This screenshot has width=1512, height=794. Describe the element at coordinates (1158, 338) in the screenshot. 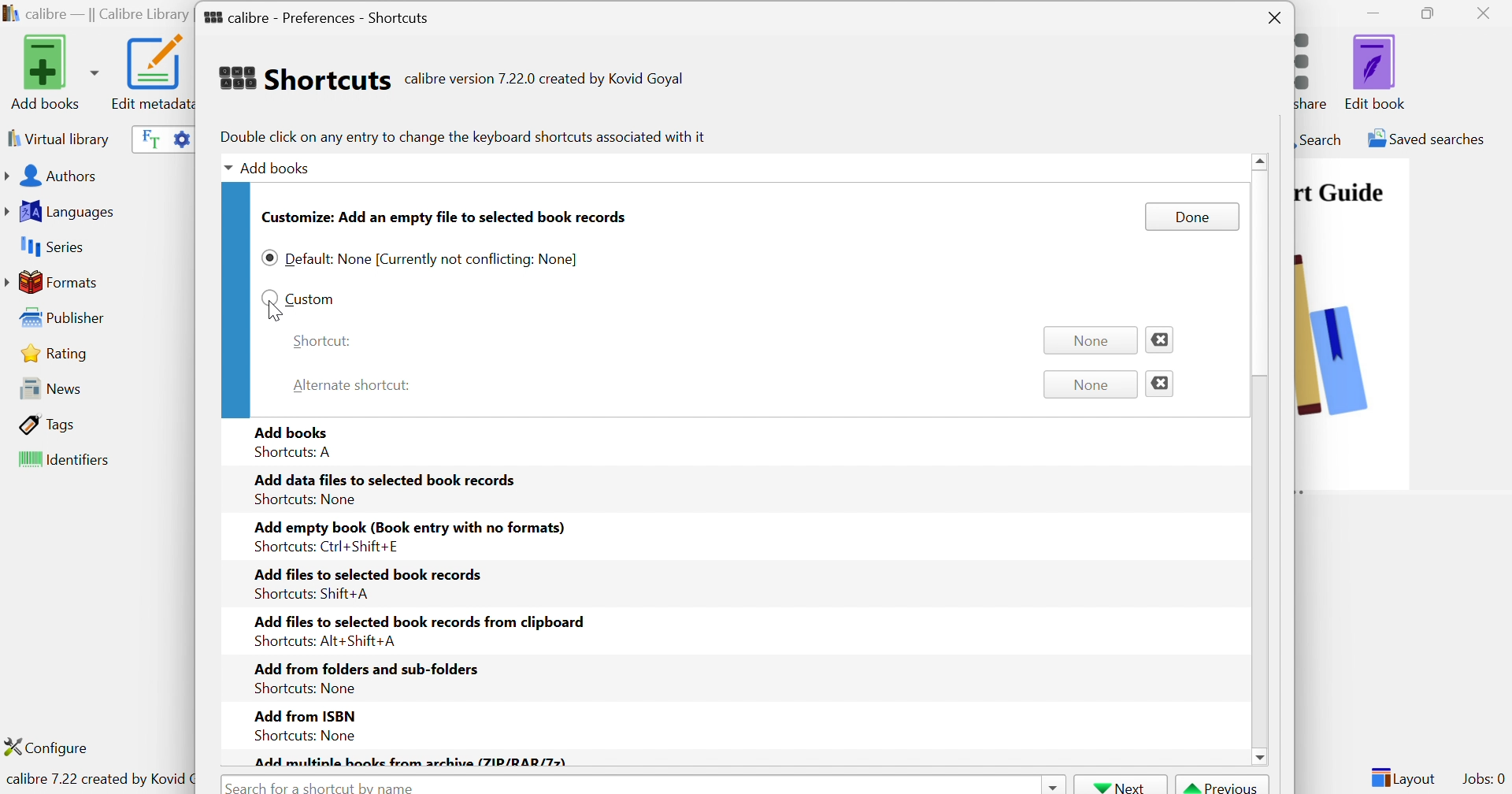

I see `Close` at that location.